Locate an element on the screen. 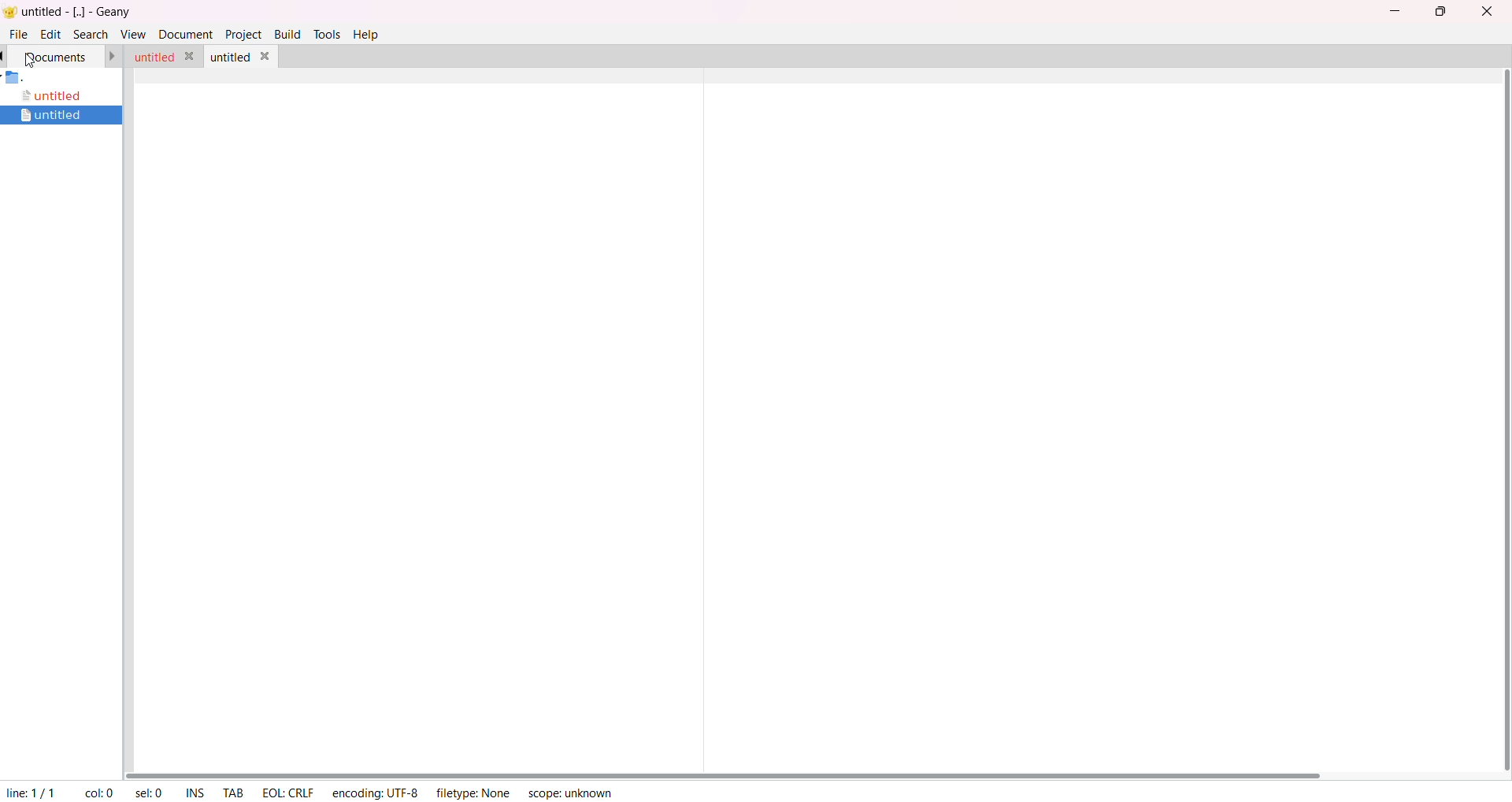 This screenshot has height=802, width=1512. forward is located at coordinates (113, 56).